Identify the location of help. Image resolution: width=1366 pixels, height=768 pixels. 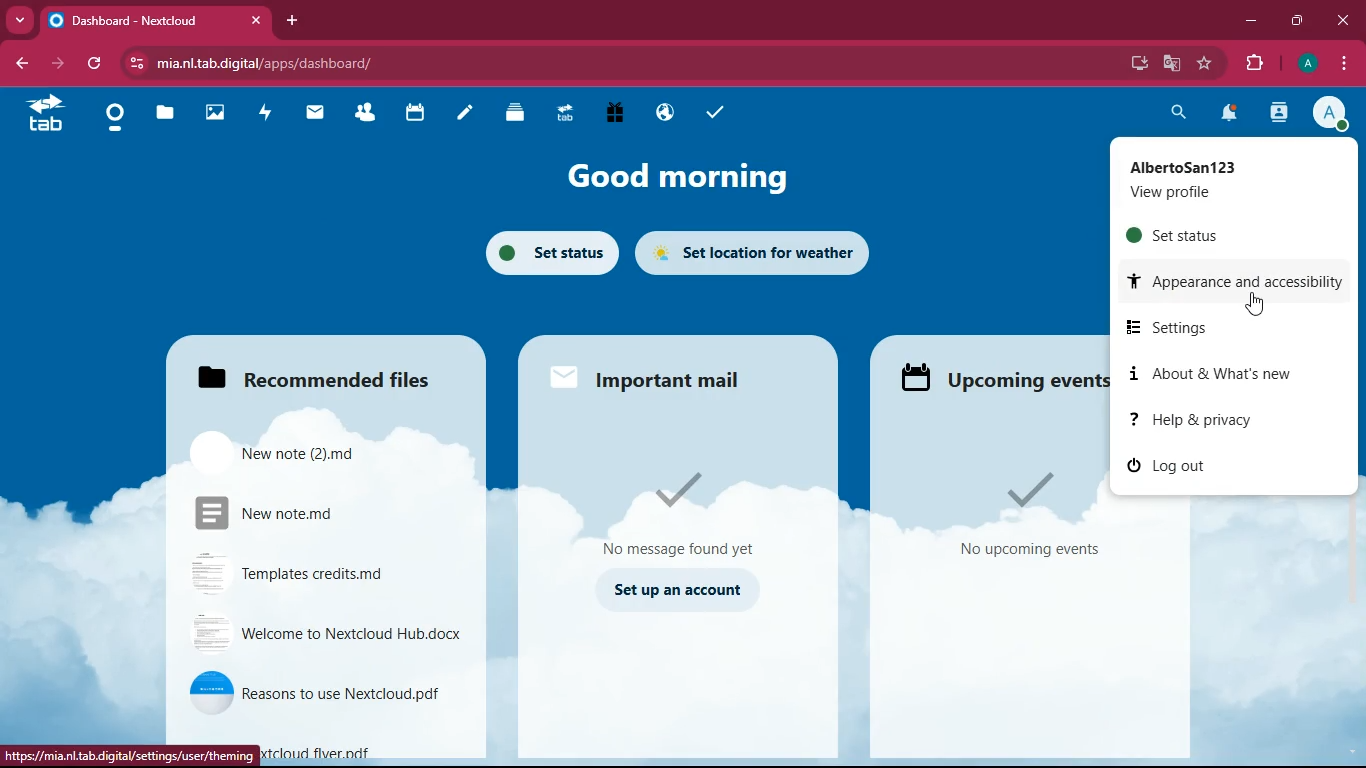
(1239, 422).